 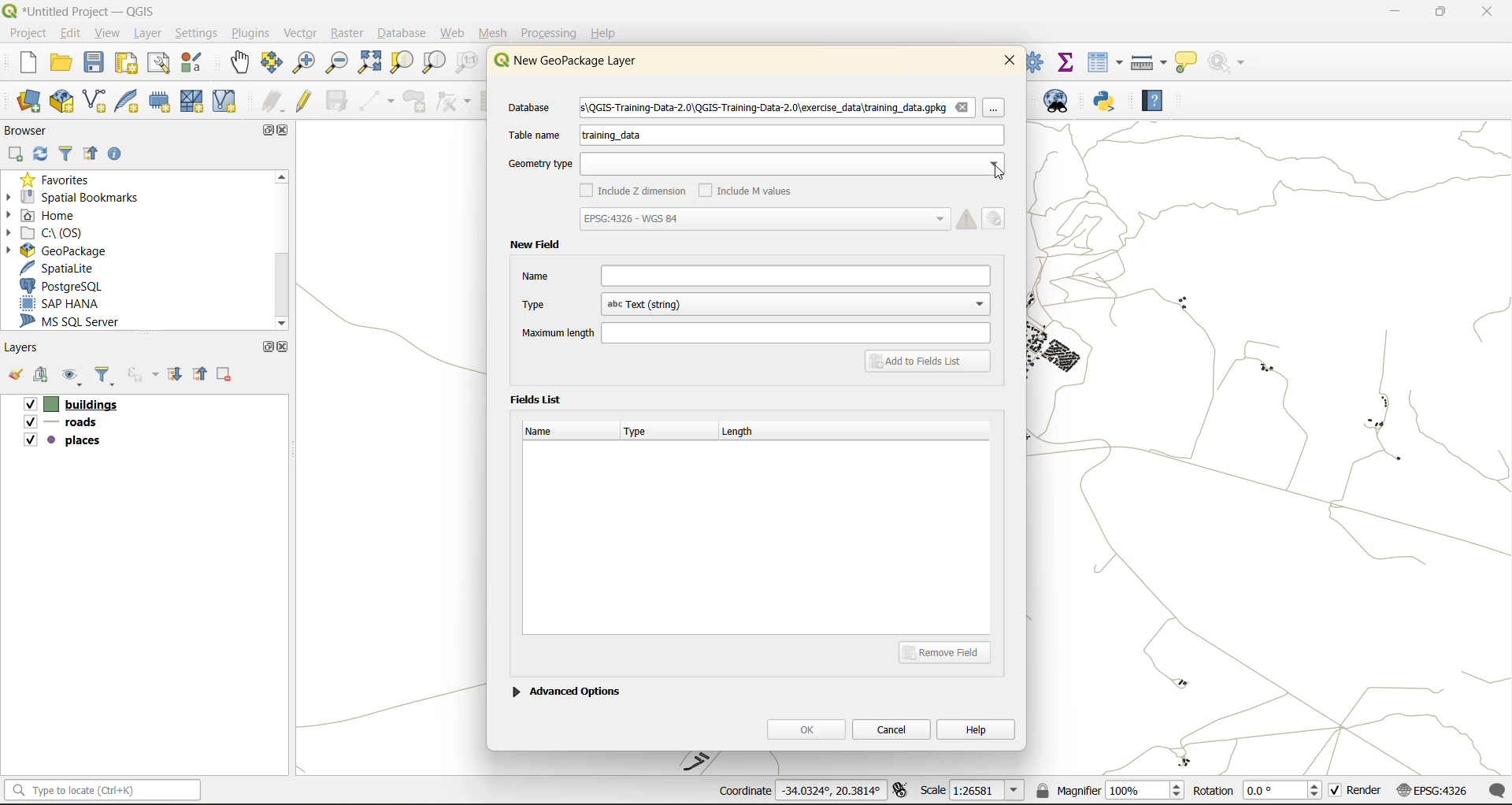 What do you see at coordinates (417, 106) in the screenshot?
I see `add polygon` at bounding box center [417, 106].